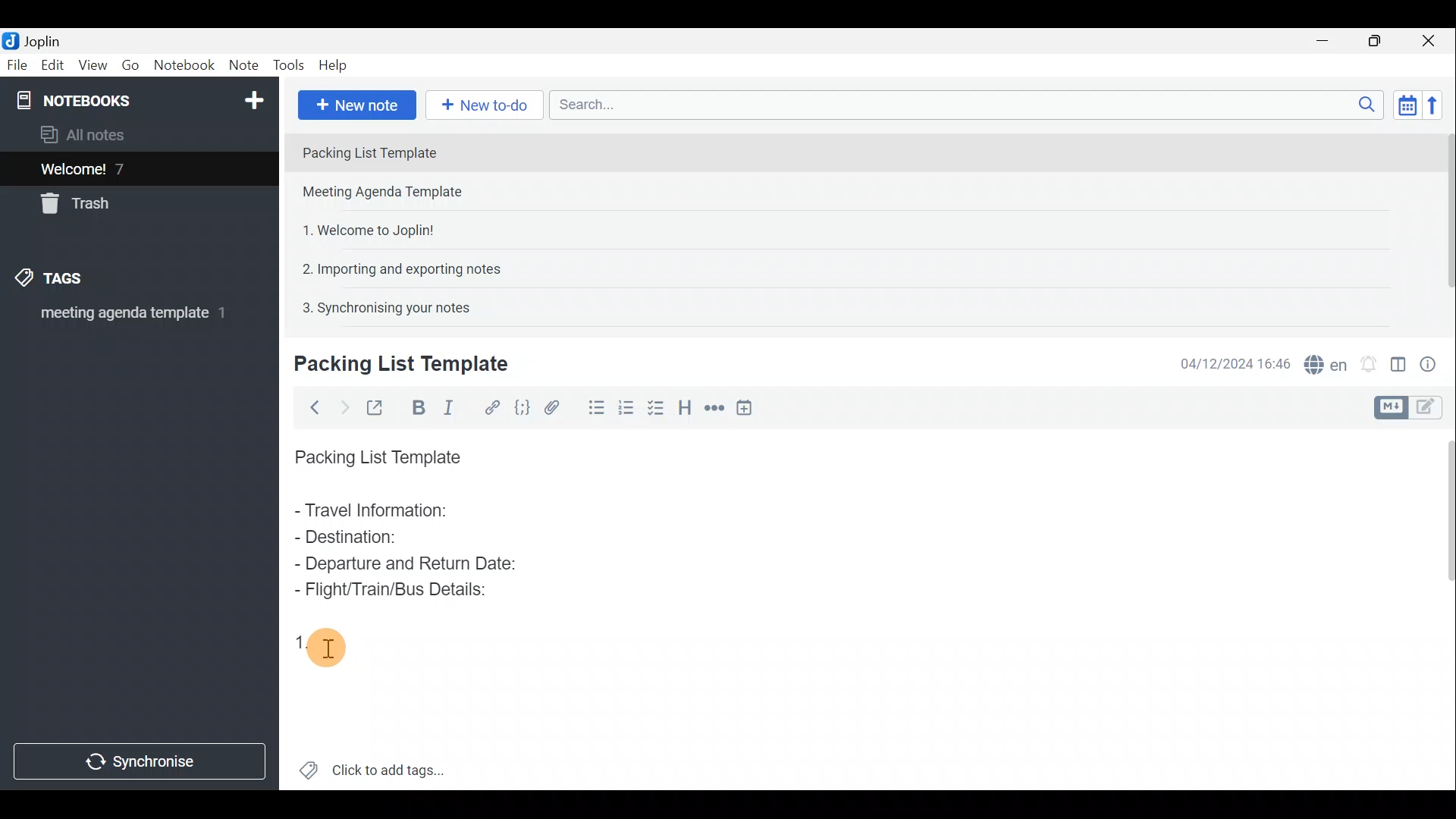  I want to click on Go, so click(131, 65).